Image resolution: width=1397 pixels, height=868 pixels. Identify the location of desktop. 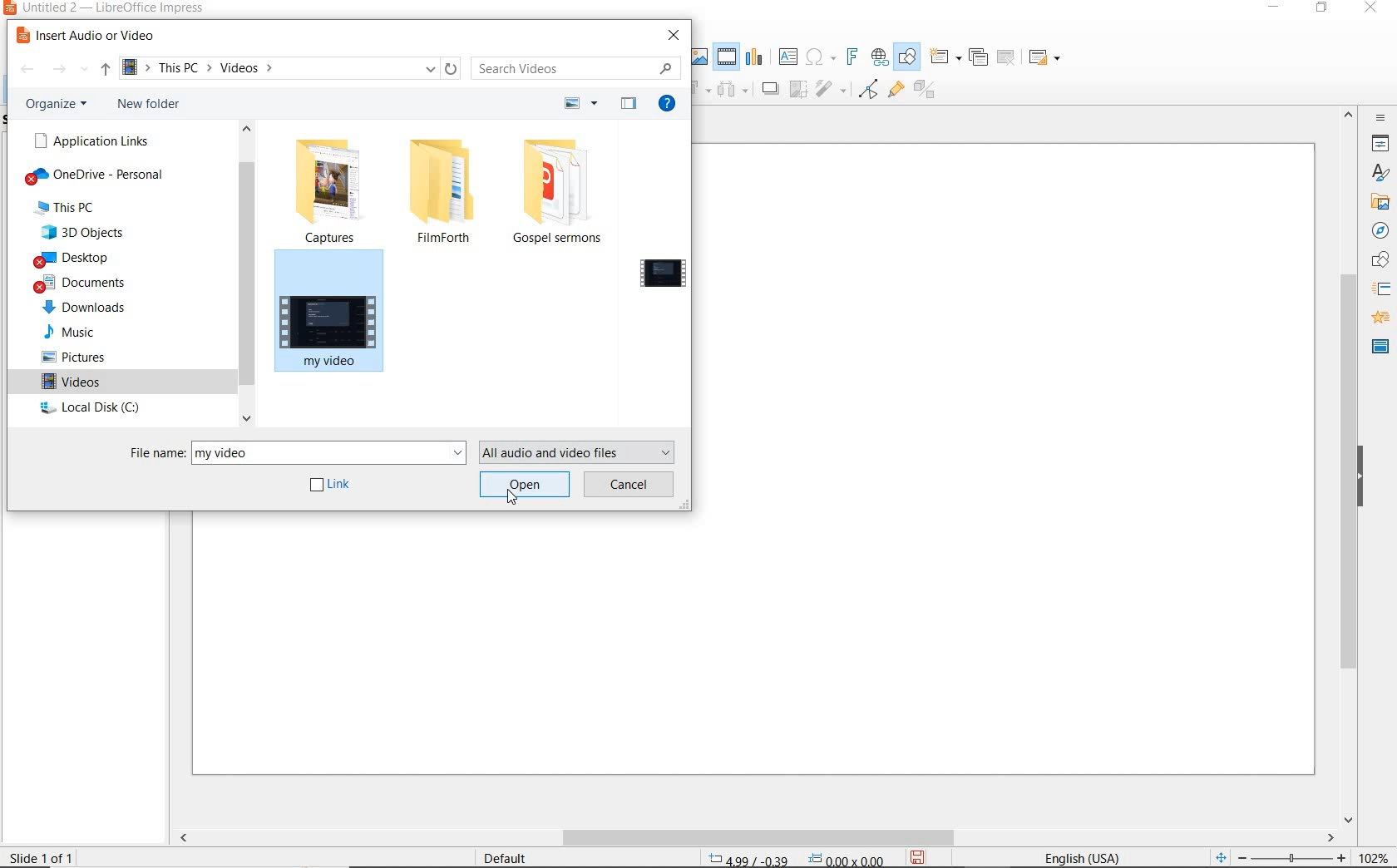
(74, 259).